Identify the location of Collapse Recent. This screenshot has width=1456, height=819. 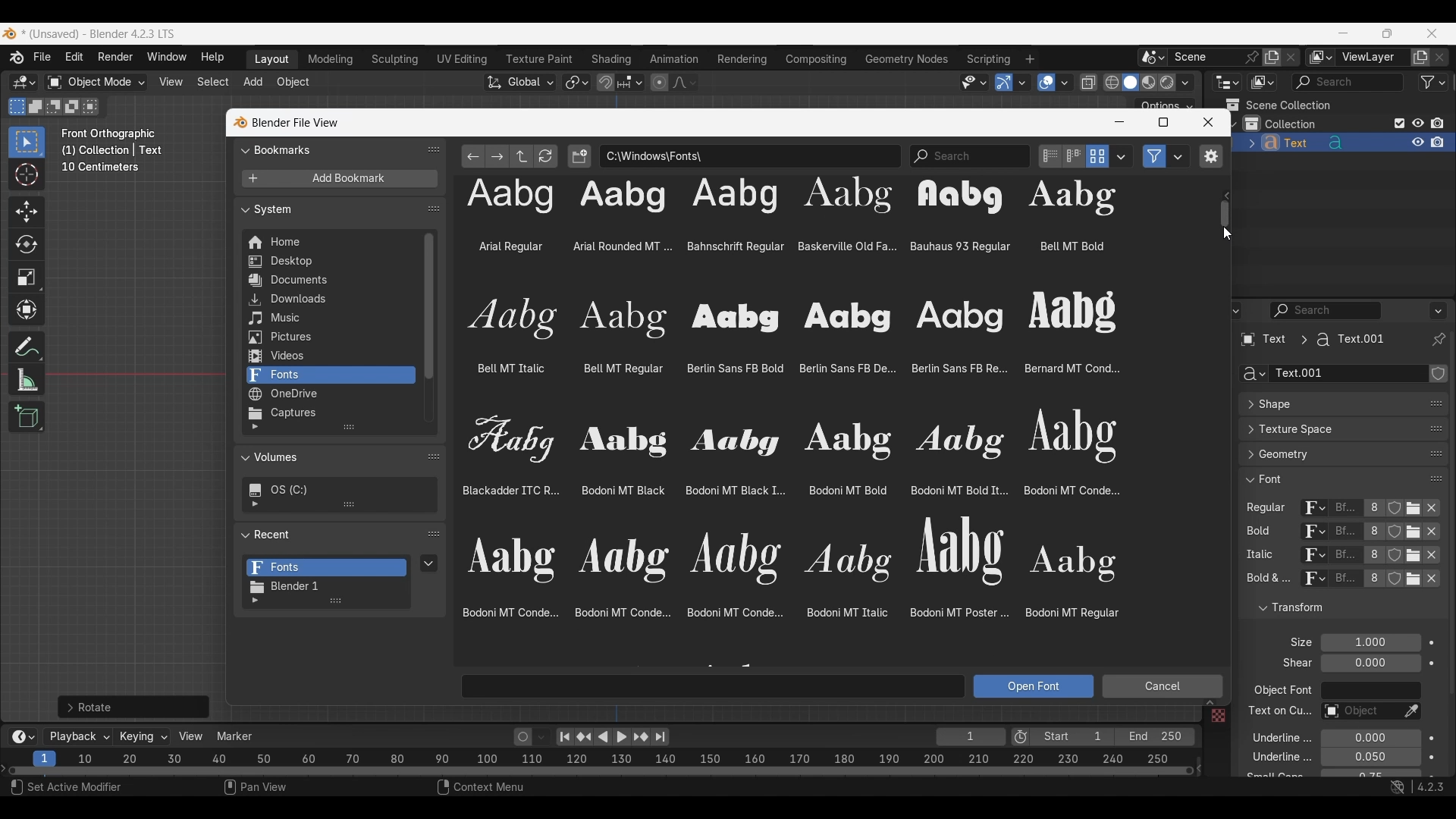
(328, 534).